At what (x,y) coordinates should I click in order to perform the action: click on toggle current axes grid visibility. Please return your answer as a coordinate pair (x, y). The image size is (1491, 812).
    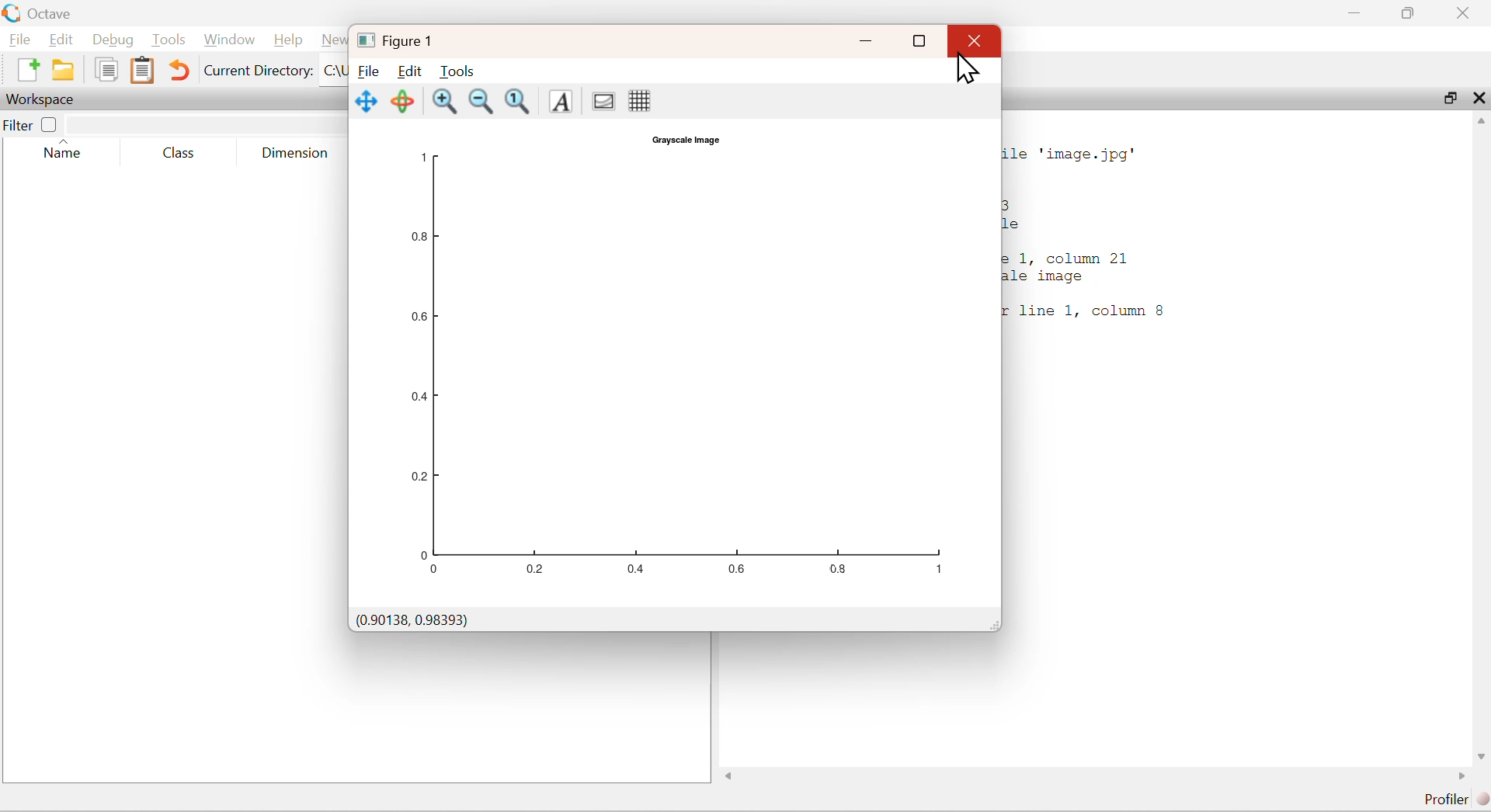
    Looking at the image, I should click on (638, 100).